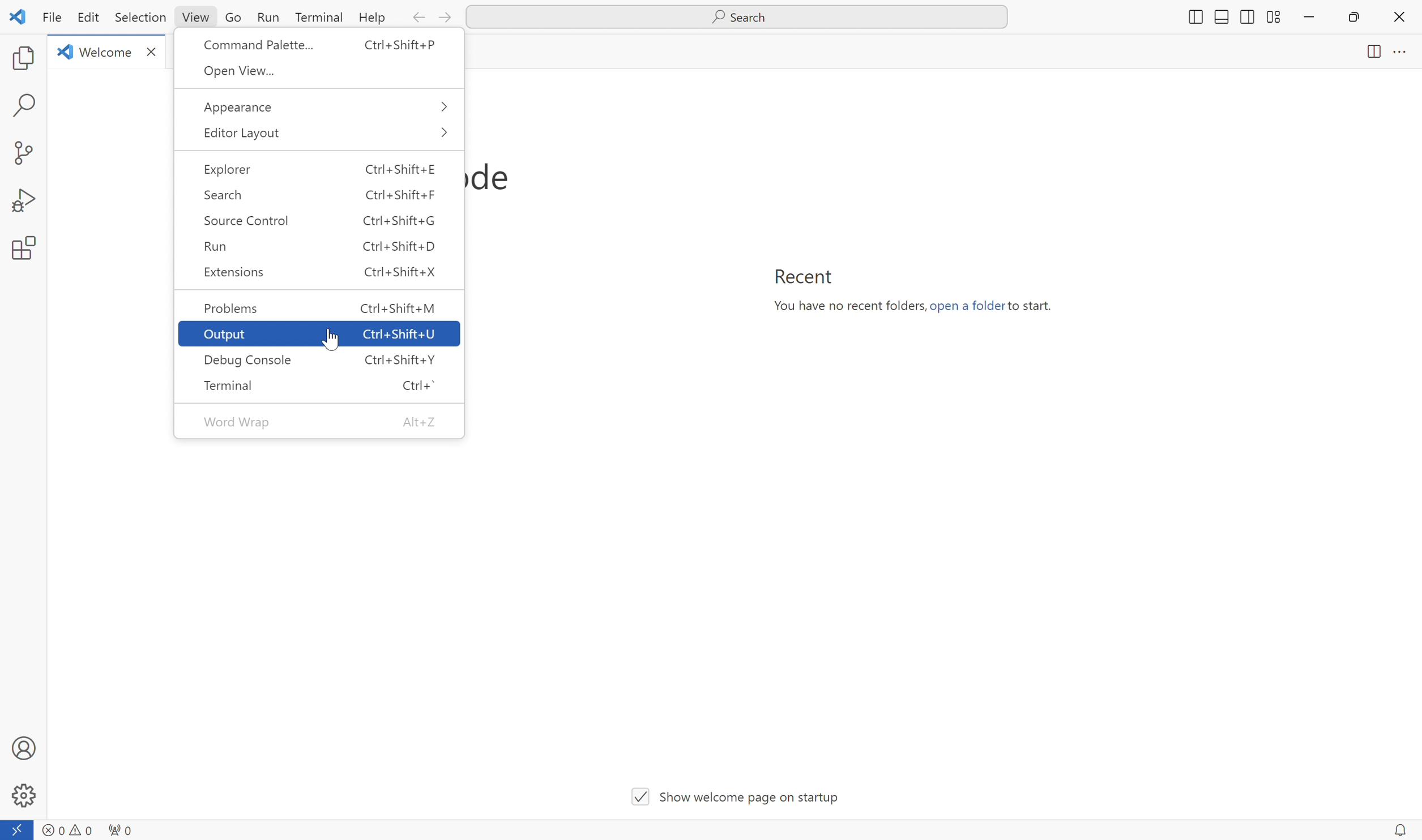 This screenshot has height=840, width=1422. Describe the element at coordinates (20, 18) in the screenshot. I see `logo` at that location.